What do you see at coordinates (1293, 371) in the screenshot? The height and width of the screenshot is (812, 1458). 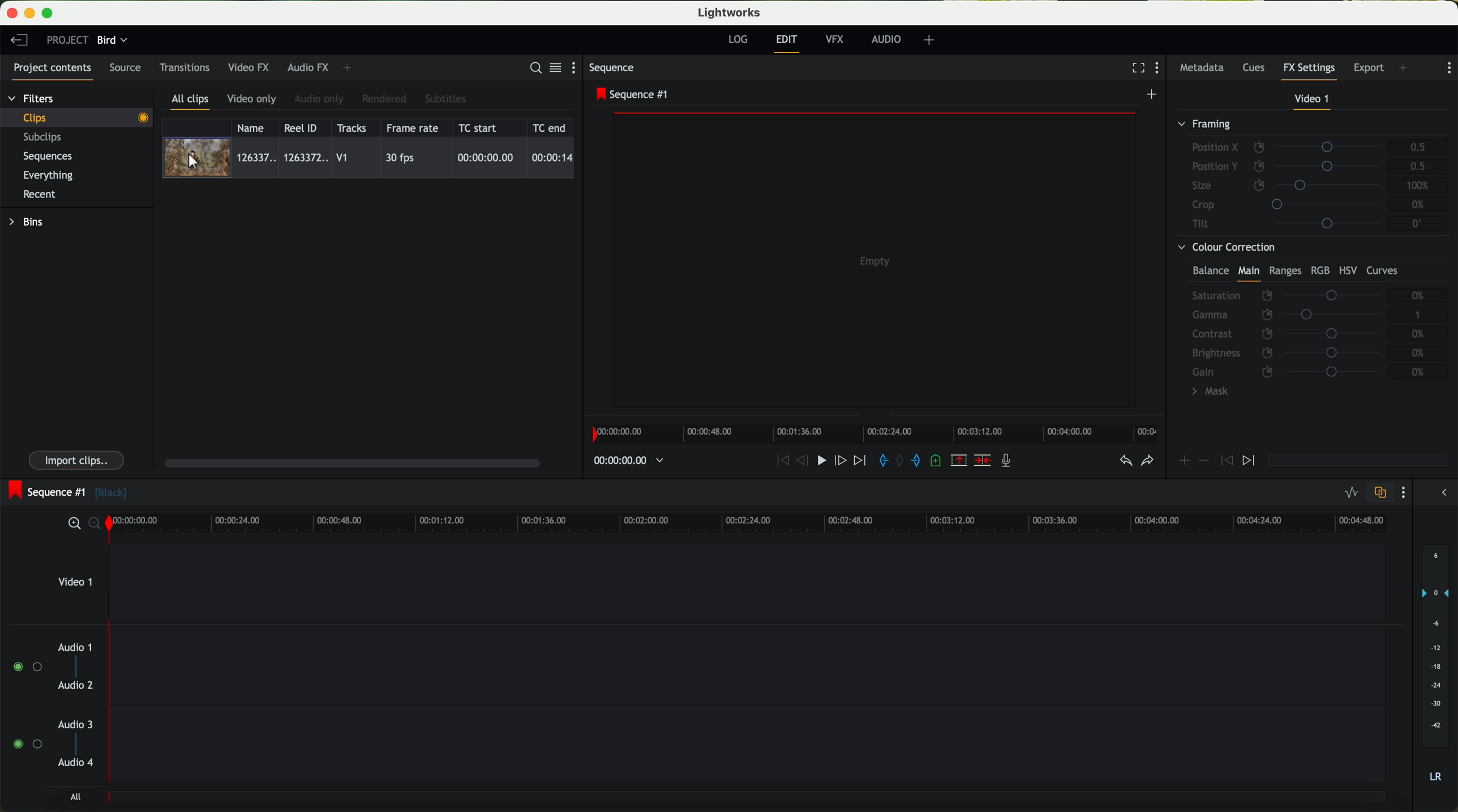 I see `gain` at bounding box center [1293, 371].